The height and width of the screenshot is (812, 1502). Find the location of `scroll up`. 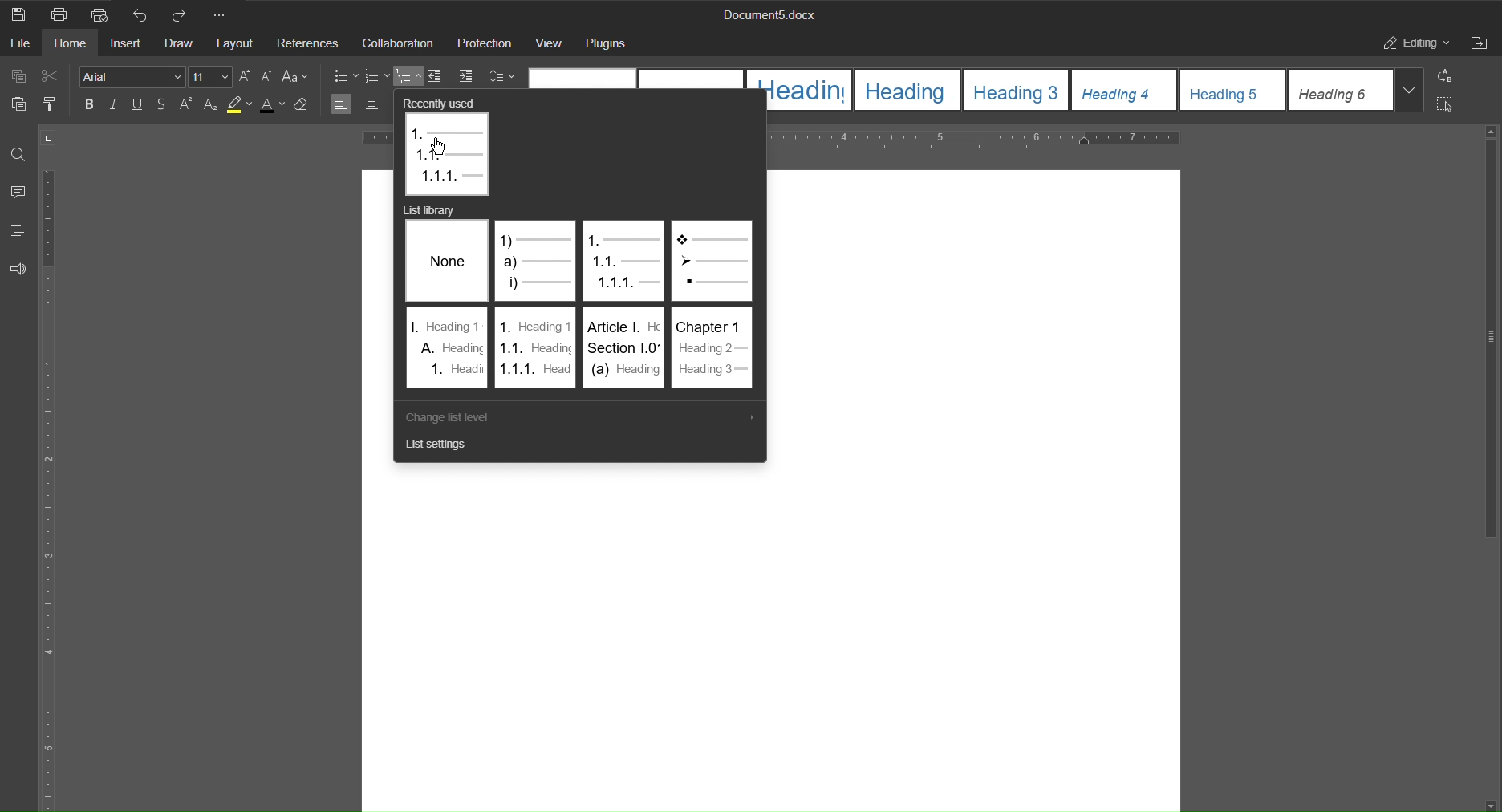

scroll up is located at coordinates (1491, 132).